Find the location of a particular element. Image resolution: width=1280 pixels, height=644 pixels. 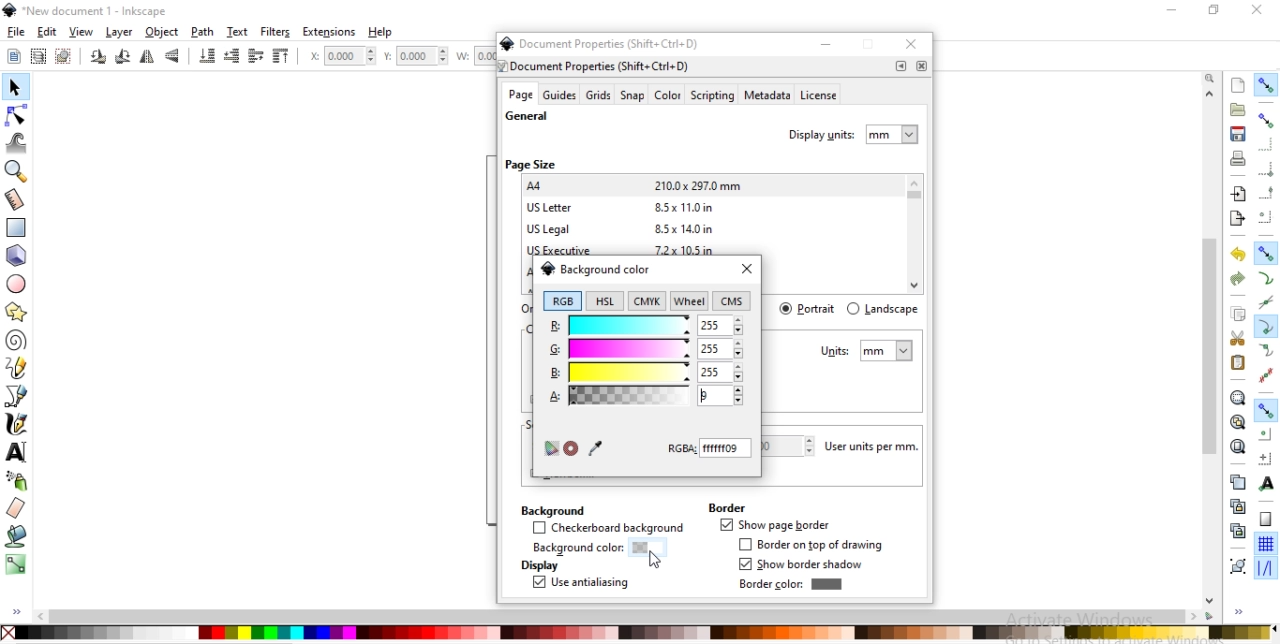

license is located at coordinates (820, 97).